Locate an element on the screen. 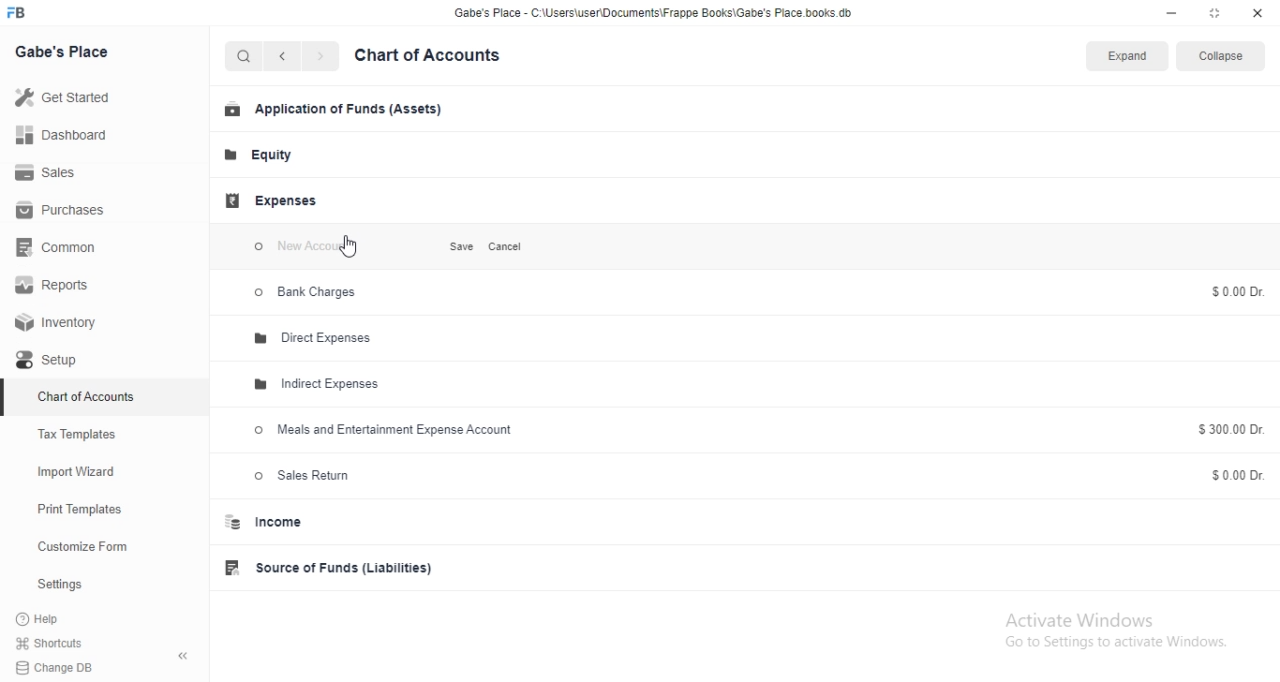  Gabe's Place - C\Users\userDocuments\Frappe Books\Gabe's Place.books.db. is located at coordinates (656, 16).